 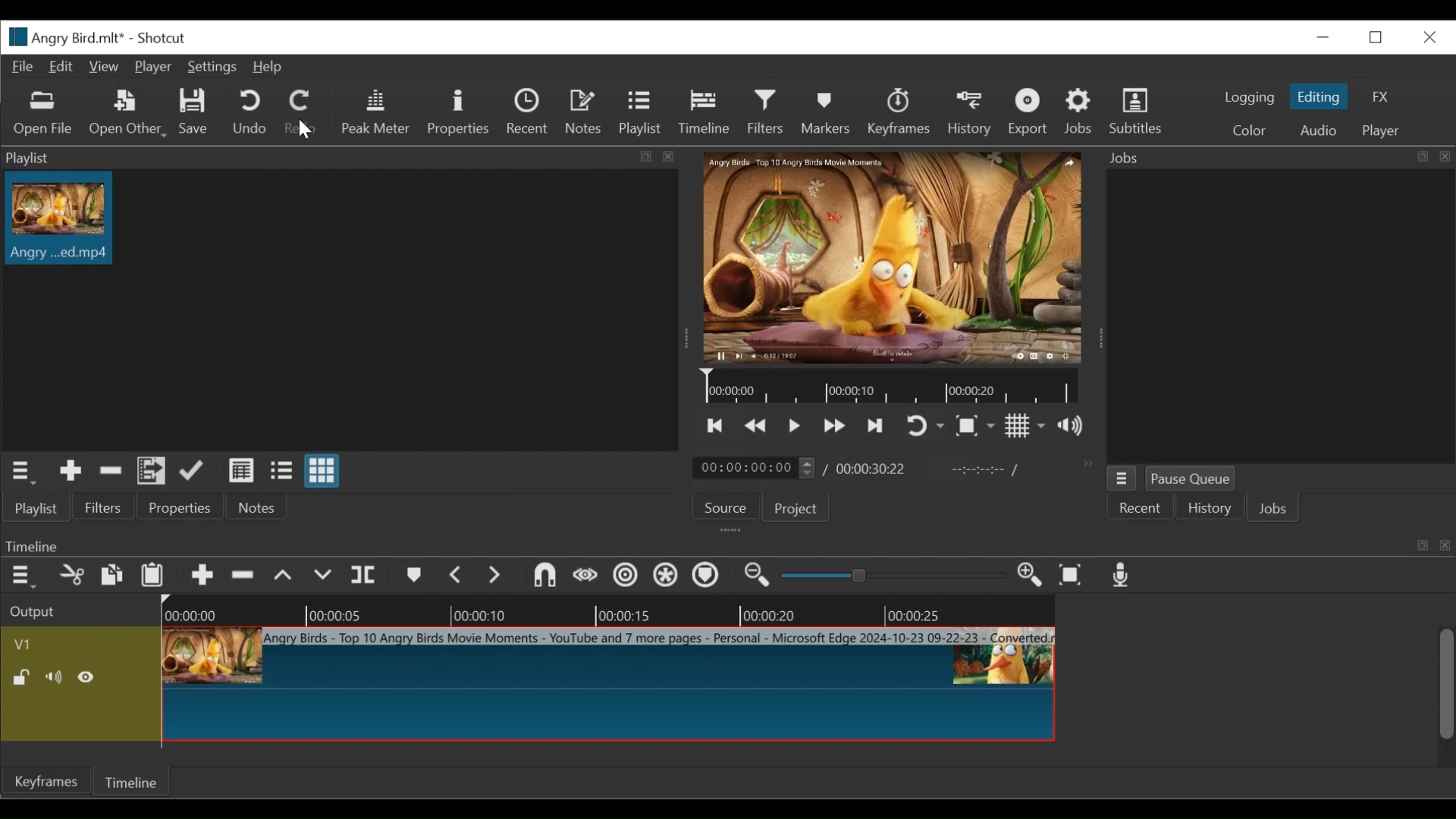 What do you see at coordinates (899, 111) in the screenshot?
I see `Keyframes` at bounding box center [899, 111].